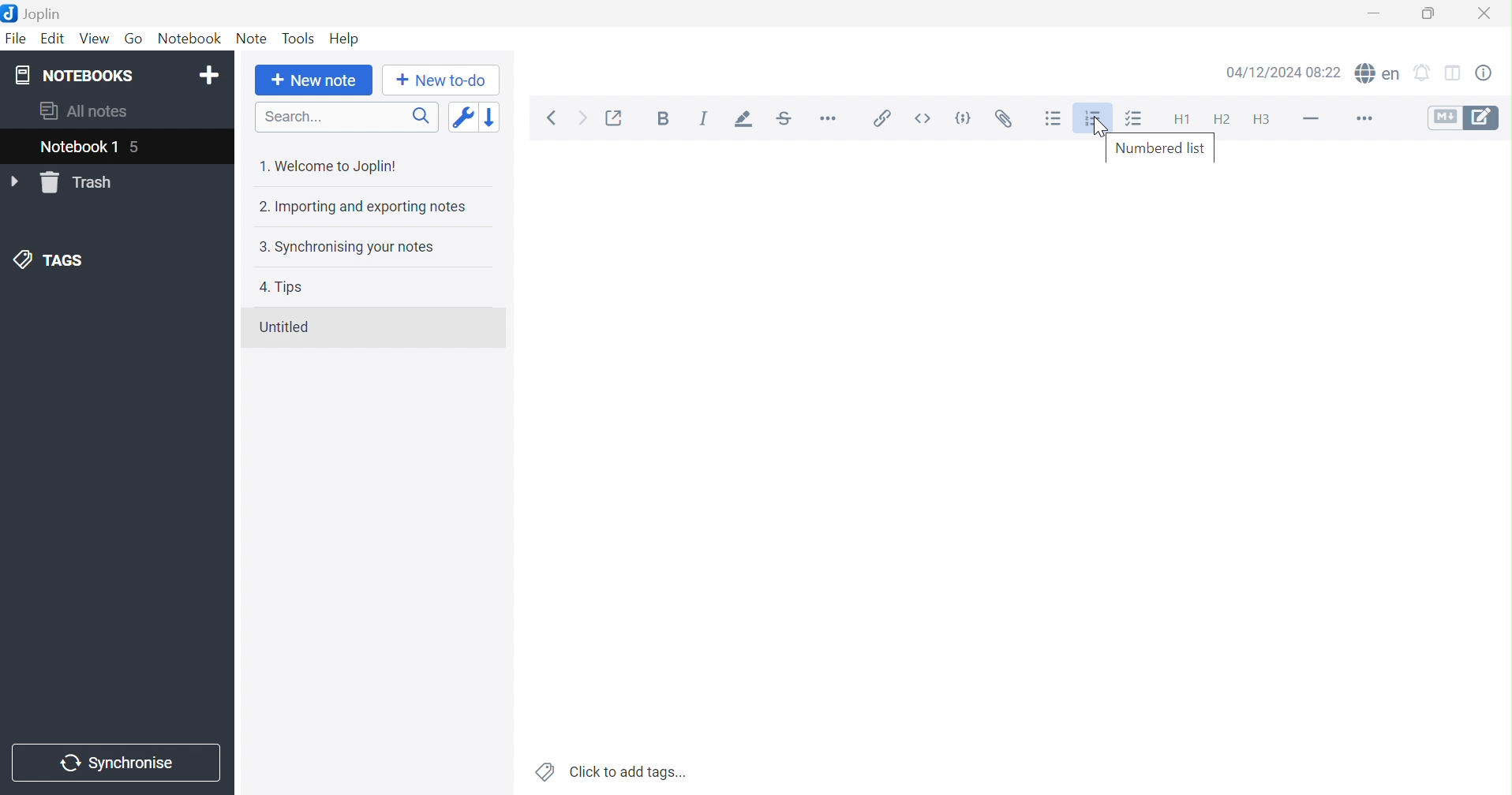  What do you see at coordinates (361, 207) in the screenshot?
I see `2. Importing and exporting notes` at bounding box center [361, 207].